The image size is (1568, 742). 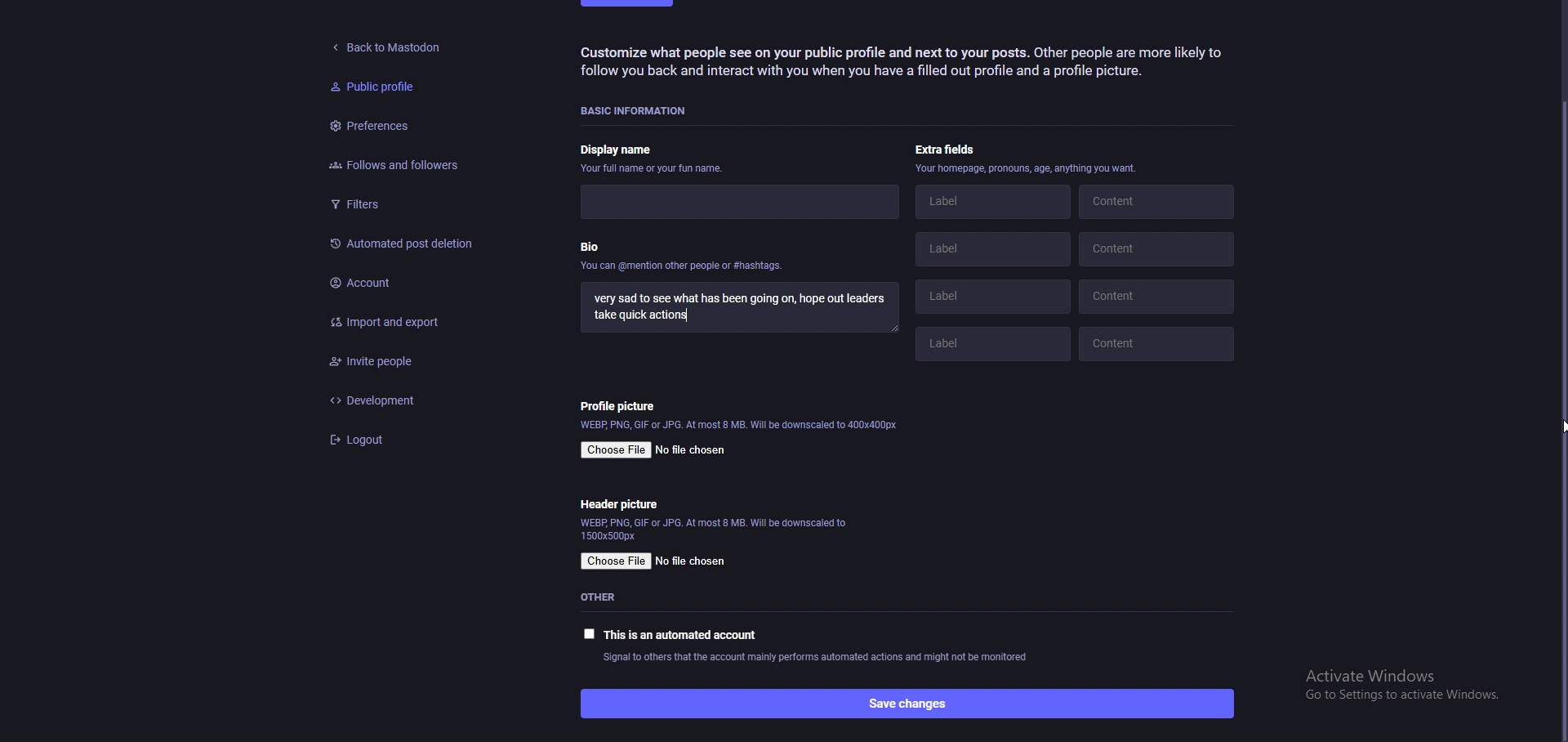 What do you see at coordinates (684, 260) in the screenshot?
I see `bio` at bounding box center [684, 260].